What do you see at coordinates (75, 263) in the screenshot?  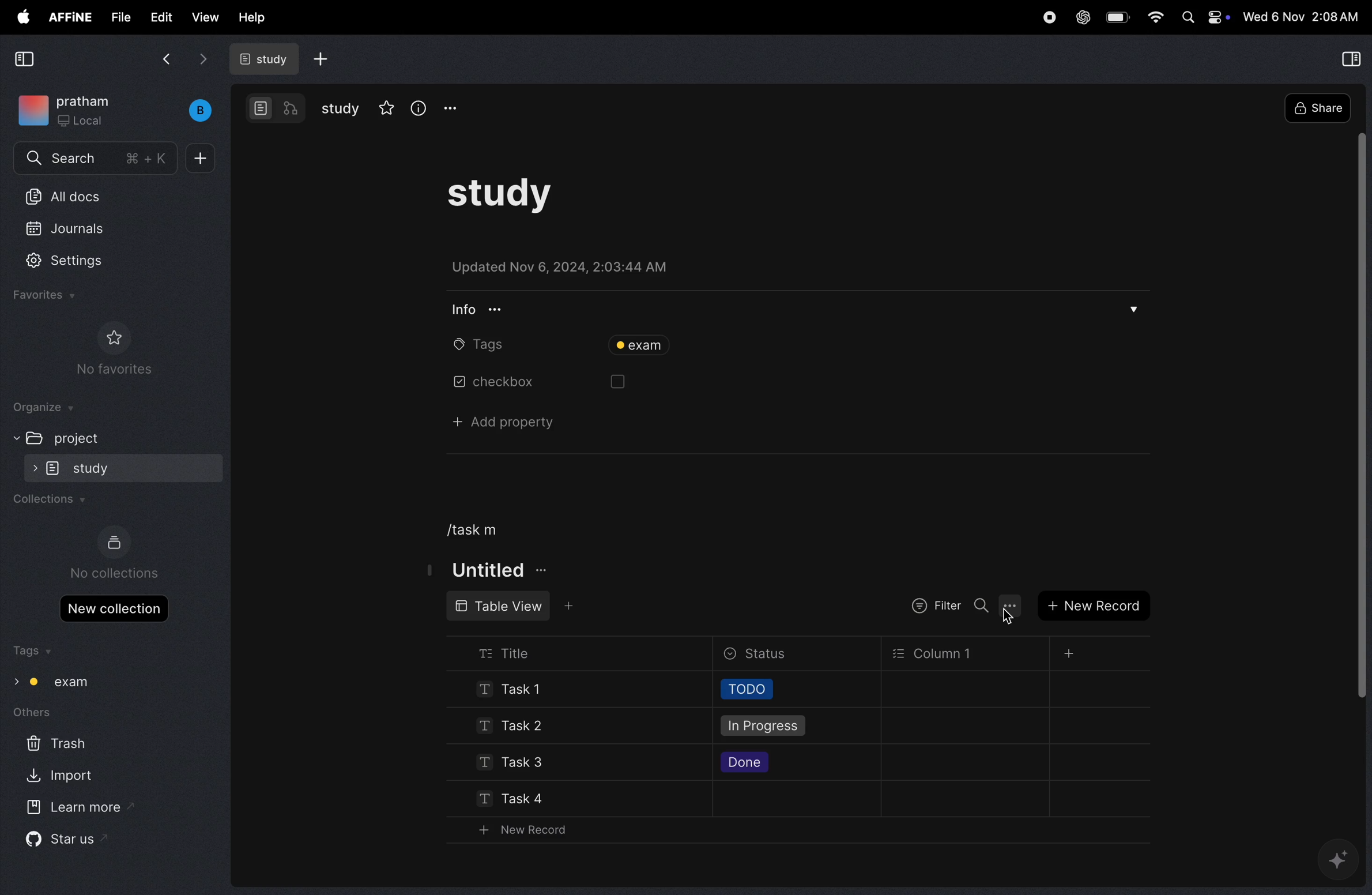 I see `settings` at bounding box center [75, 263].